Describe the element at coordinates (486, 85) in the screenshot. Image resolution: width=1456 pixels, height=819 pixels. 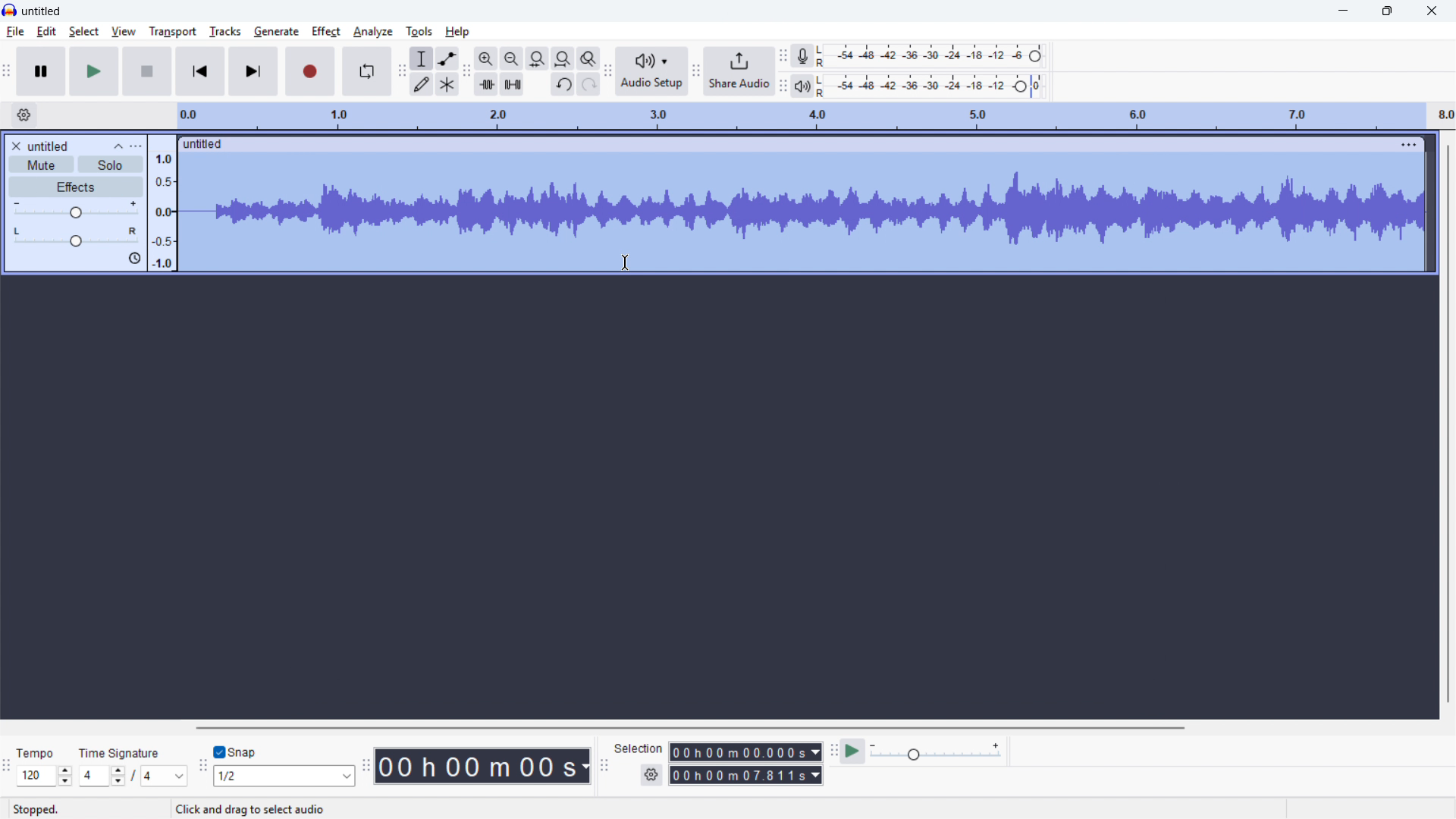
I see `Trim audio outside selection ` at that location.